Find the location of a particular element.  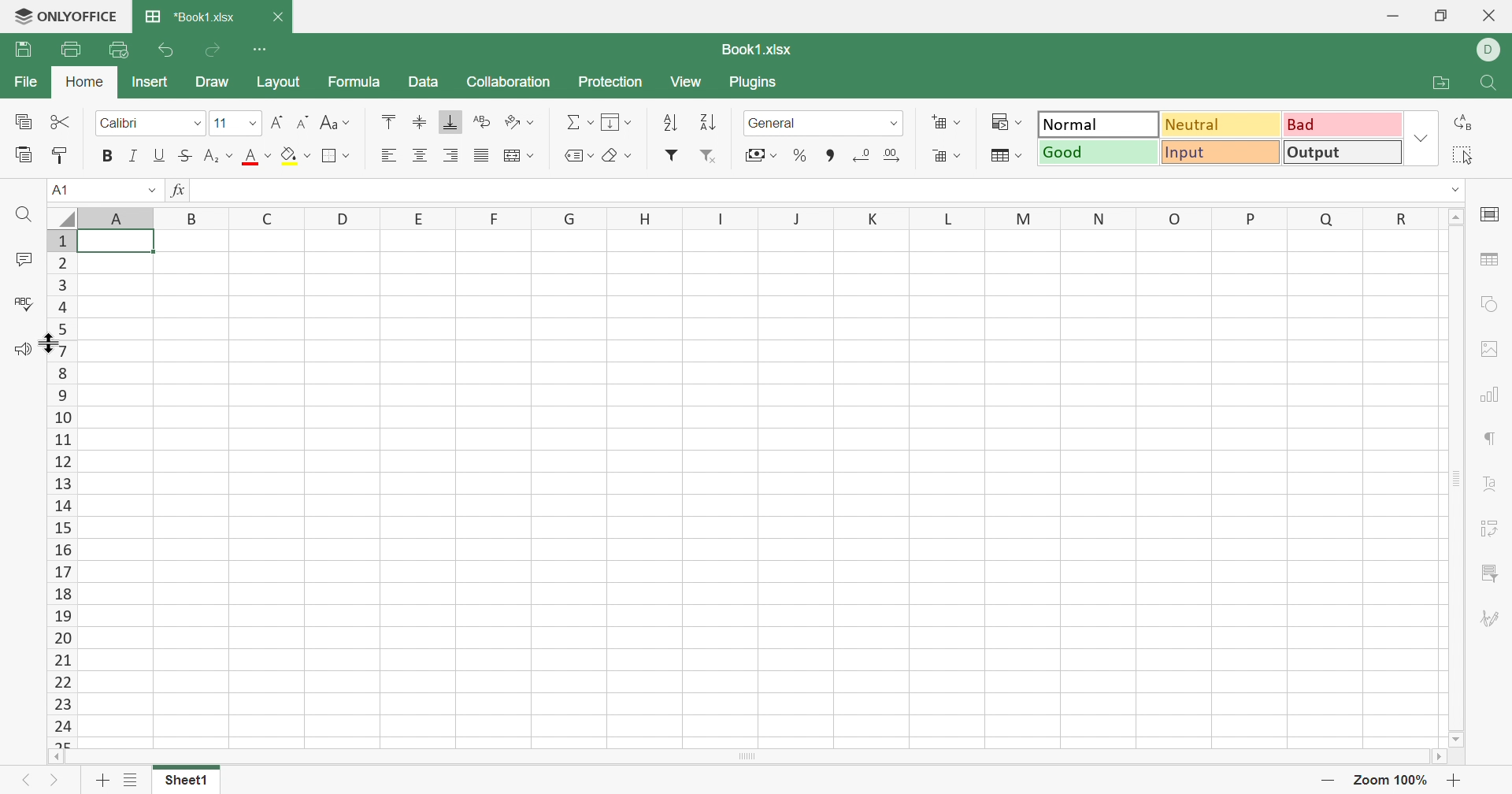

Fill color is located at coordinates (298, 158).